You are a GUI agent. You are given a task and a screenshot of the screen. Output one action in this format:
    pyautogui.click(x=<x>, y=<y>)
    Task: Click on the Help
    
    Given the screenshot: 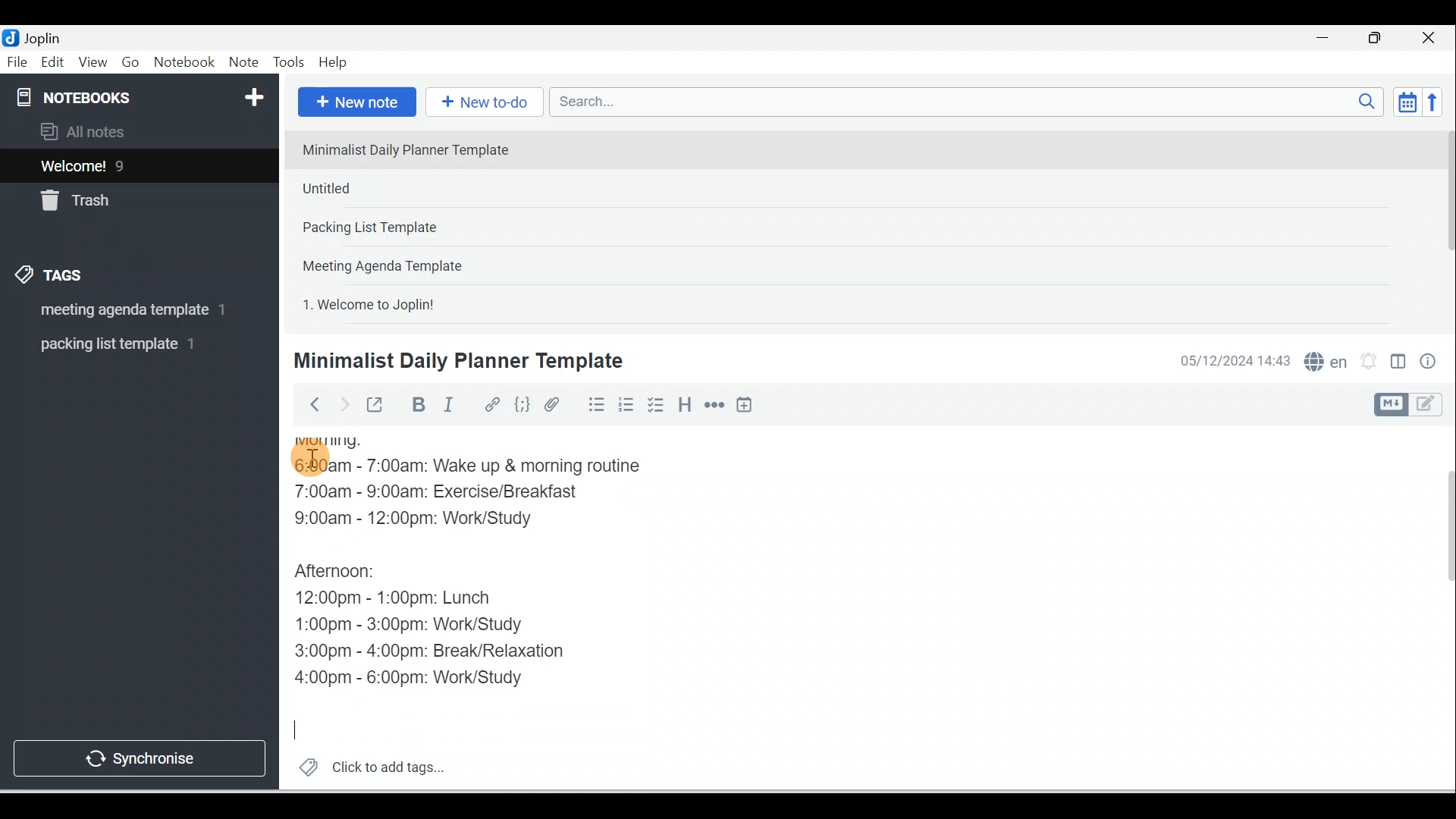 What is the action you would take?
    pyautogui.click(x=334, y=63)
    